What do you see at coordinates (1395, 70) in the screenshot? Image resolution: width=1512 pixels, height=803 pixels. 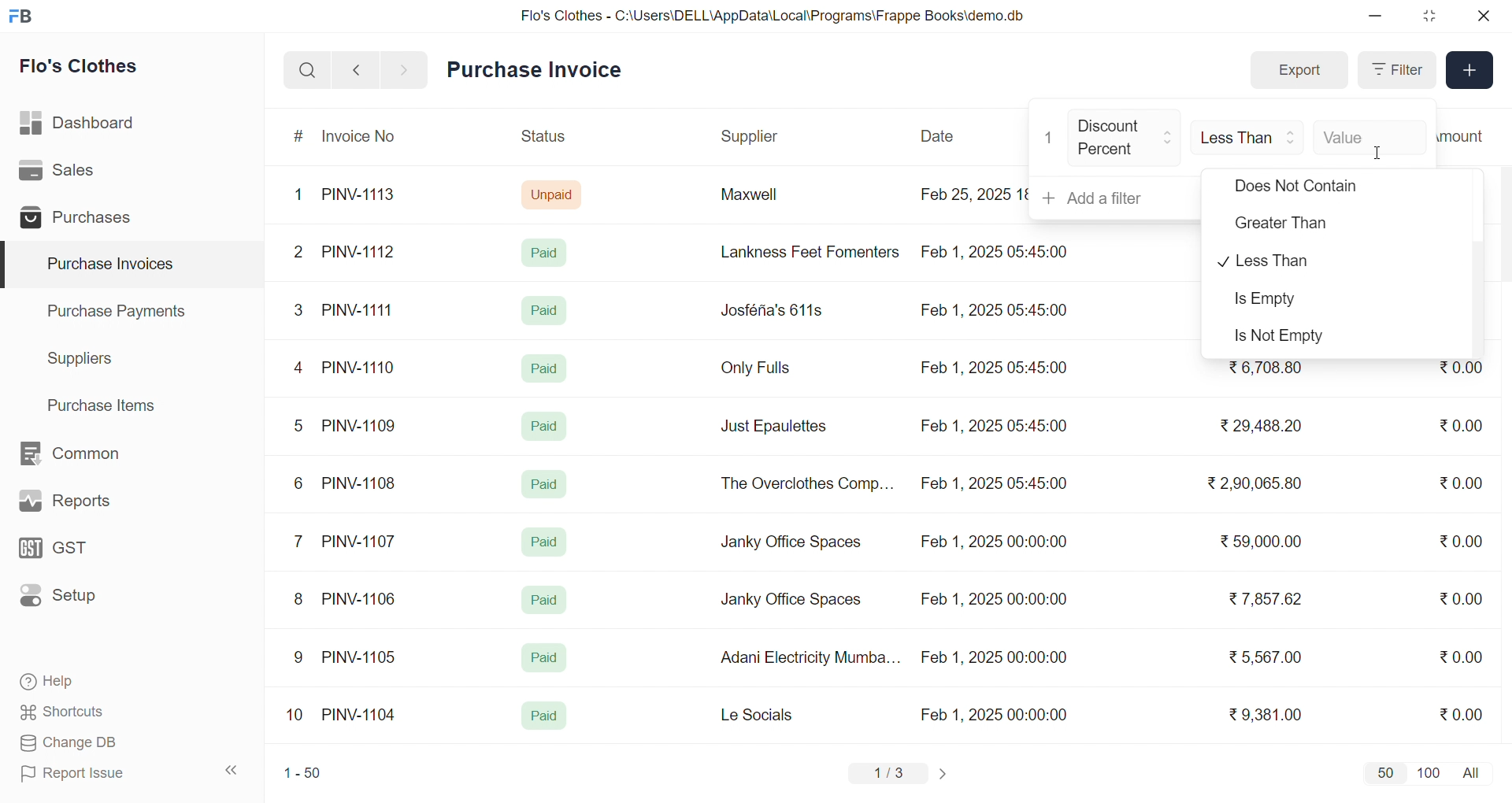 I see `Filter` at bounding box center [1395, 70].